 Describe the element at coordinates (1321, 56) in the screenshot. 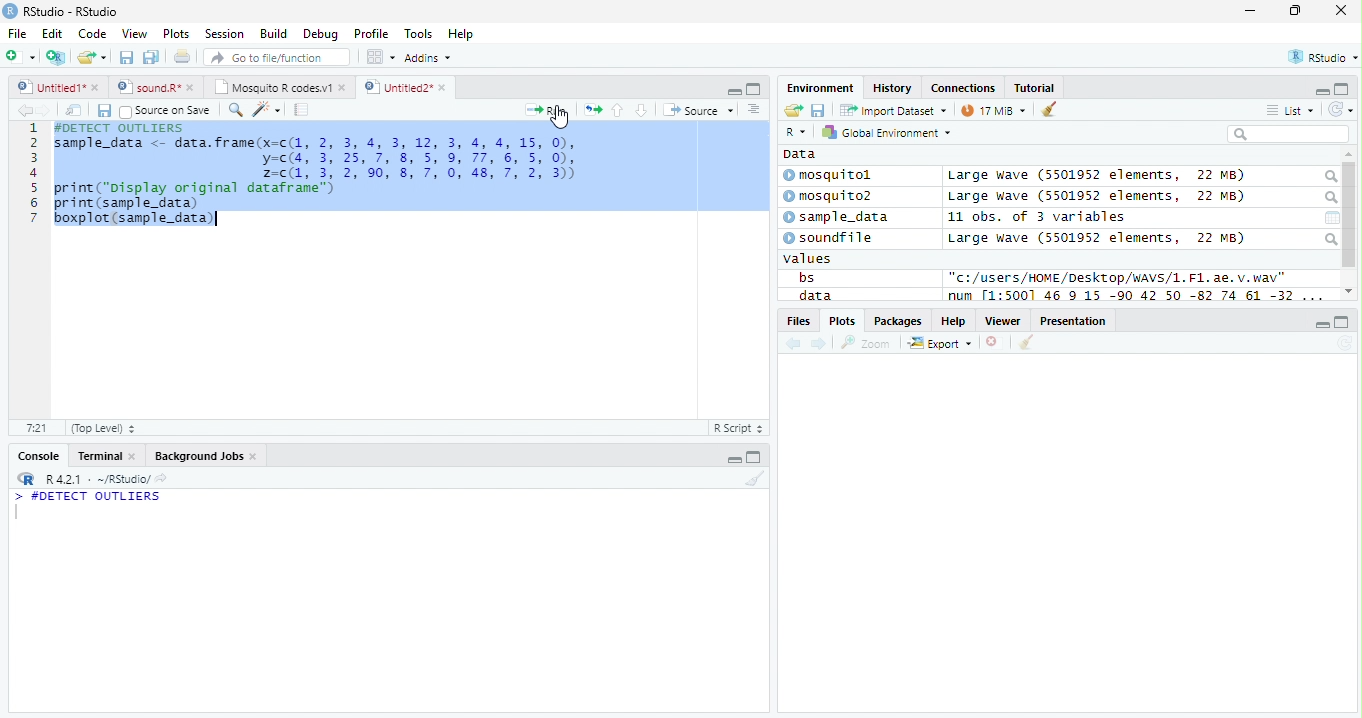

I see `RStudio` at that location.